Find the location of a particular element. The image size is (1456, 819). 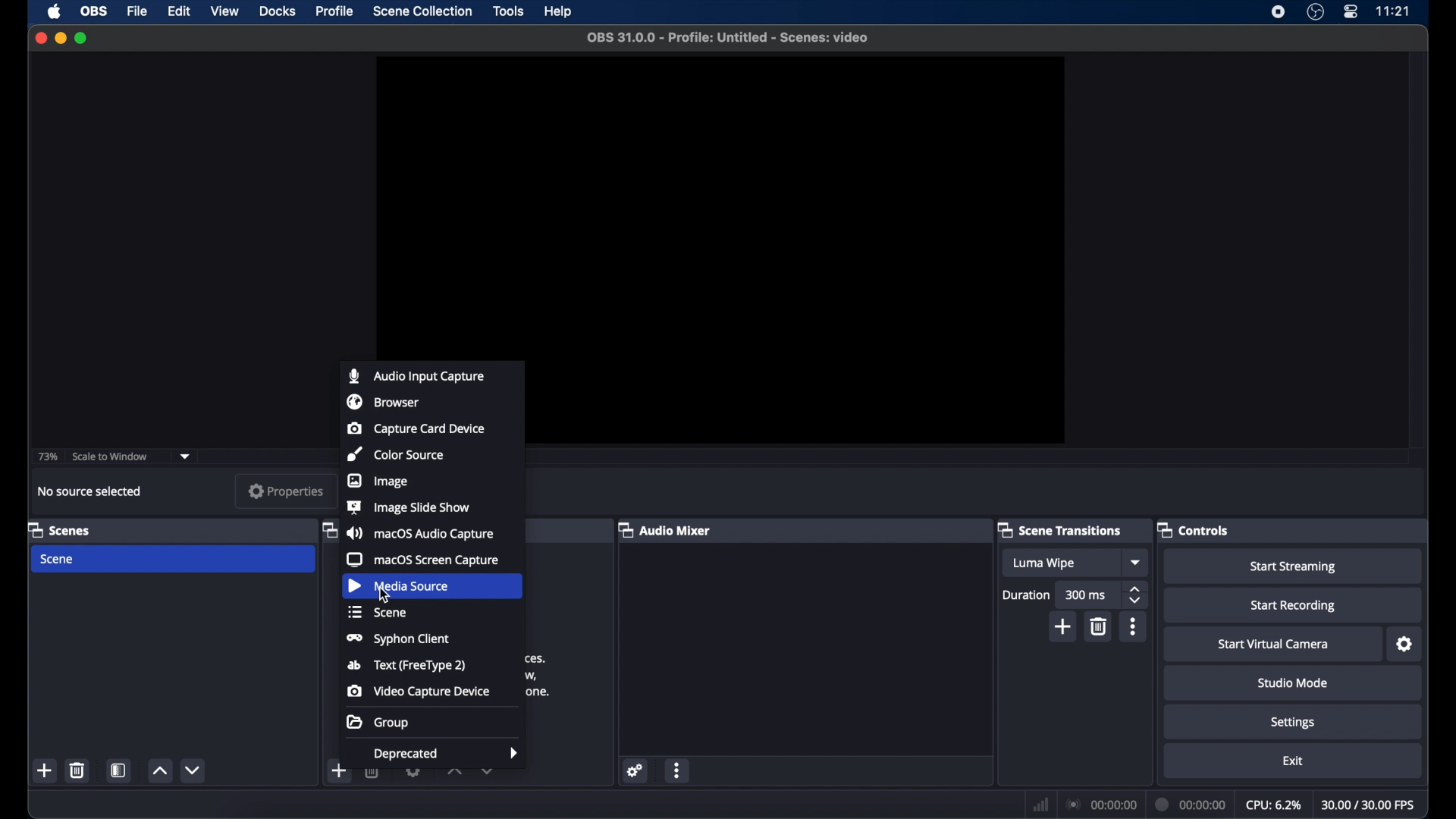

time is located at coordinates (1394, 11).